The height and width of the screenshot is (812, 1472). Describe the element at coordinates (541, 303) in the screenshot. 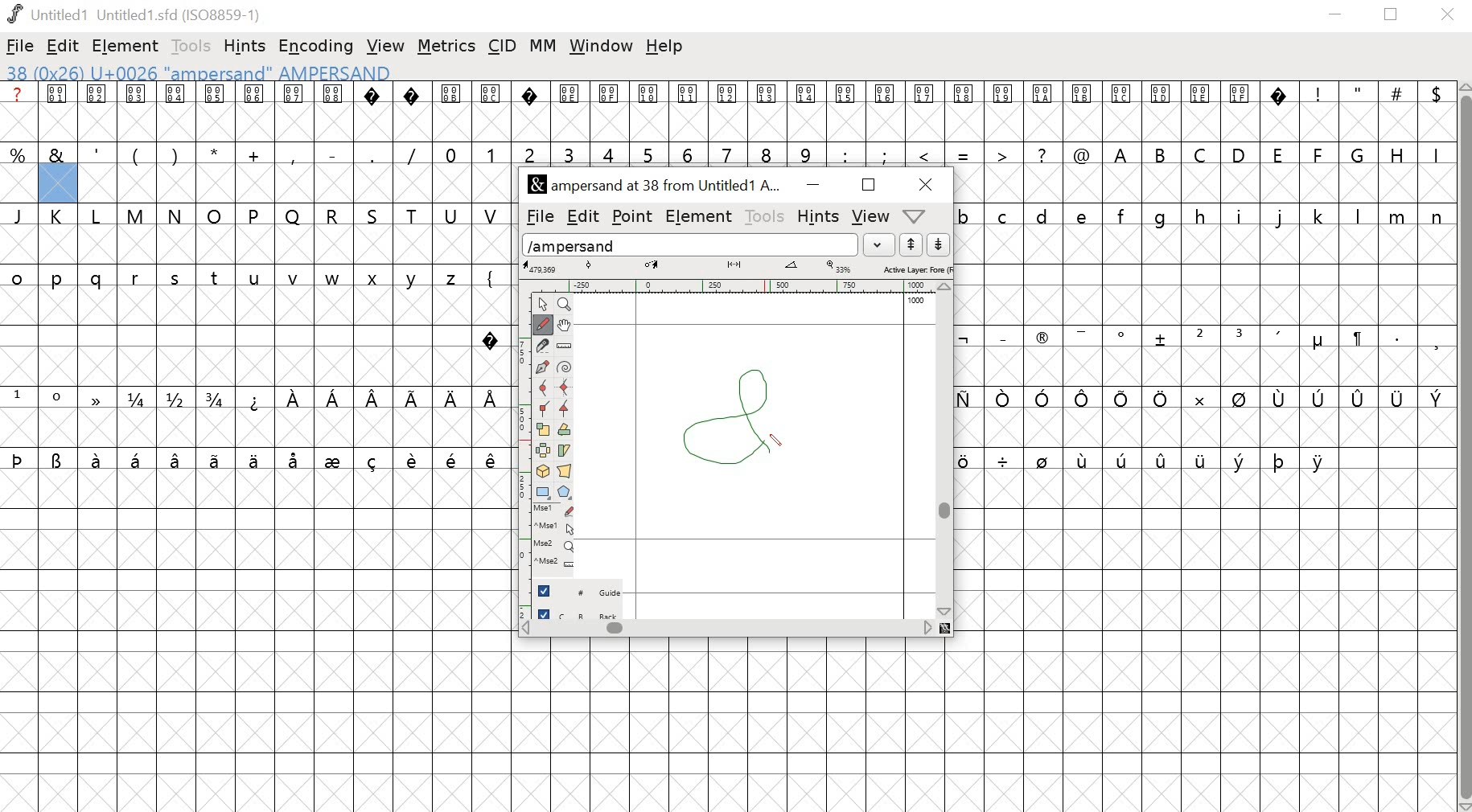

I see `pointer` at that location.